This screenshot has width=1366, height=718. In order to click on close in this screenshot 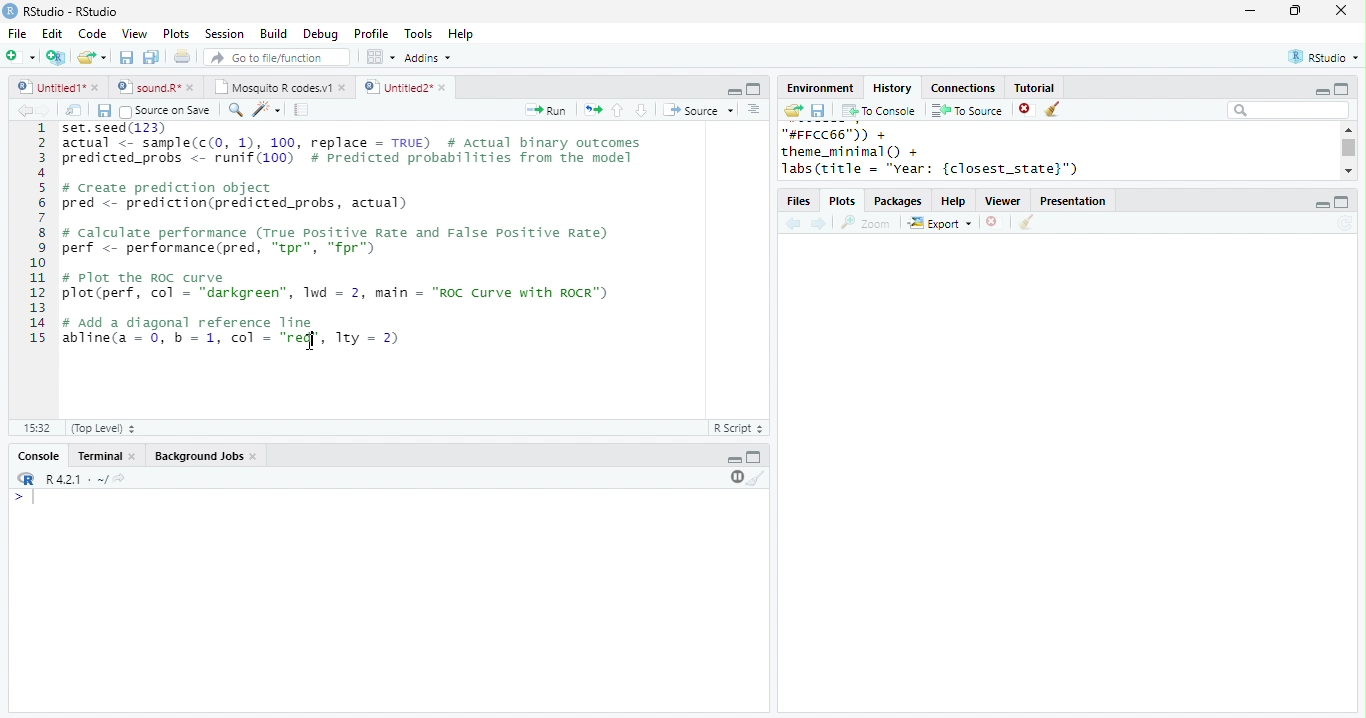, I will do `click(1342, 10)`.